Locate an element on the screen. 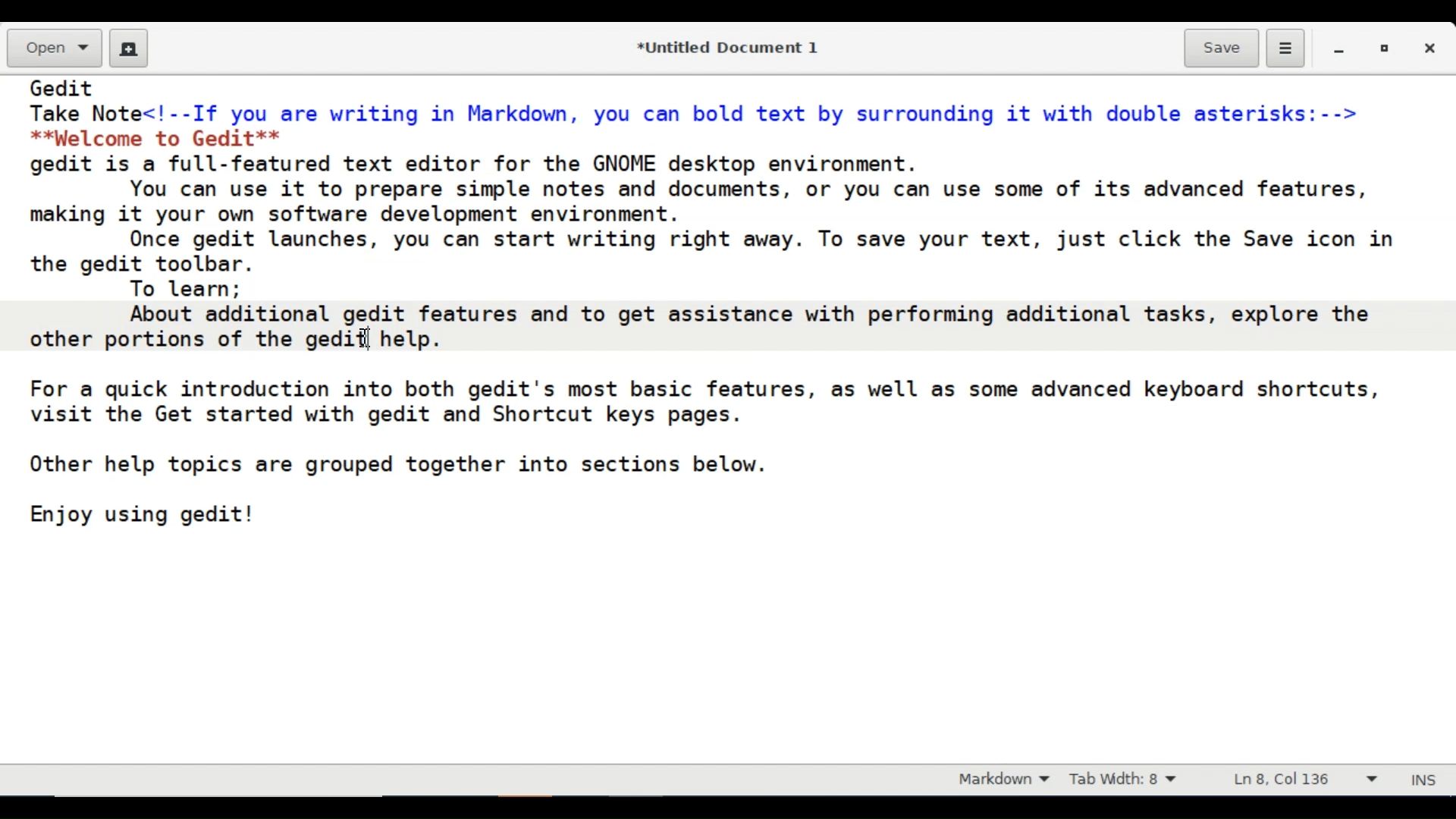  minimize is located at coordinates (1341, 48).